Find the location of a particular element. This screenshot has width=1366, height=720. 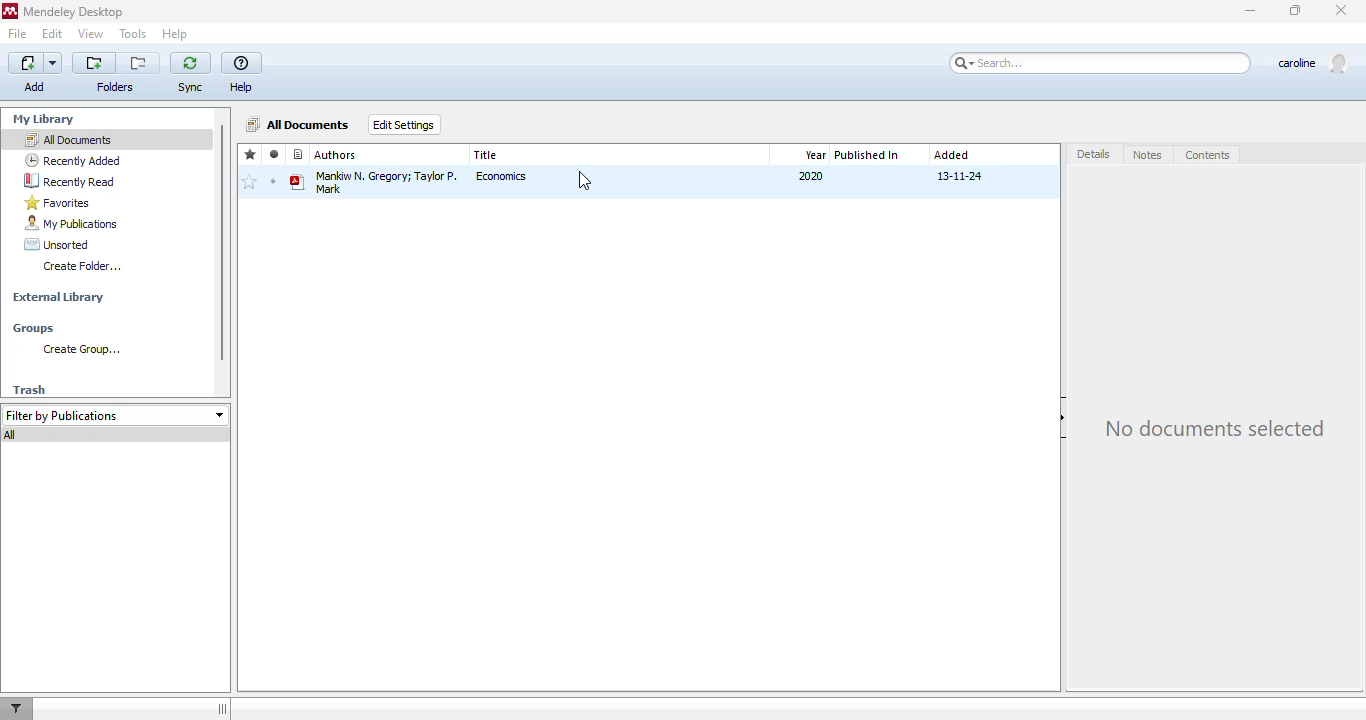

groups is located at coordinates (36, 329).